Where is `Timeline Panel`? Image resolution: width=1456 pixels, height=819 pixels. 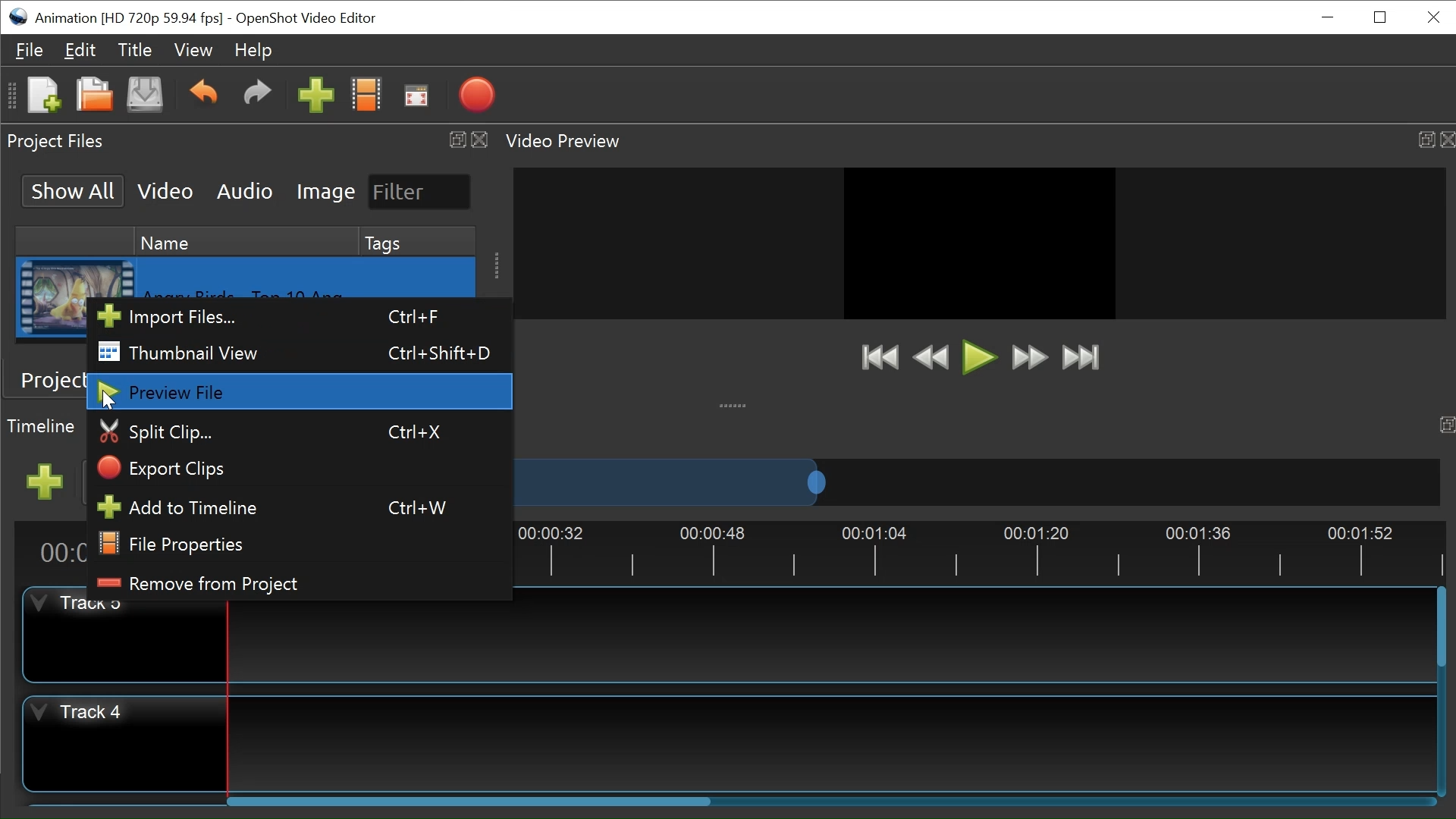 Timeline Panel is located at coordinates (42, 425).